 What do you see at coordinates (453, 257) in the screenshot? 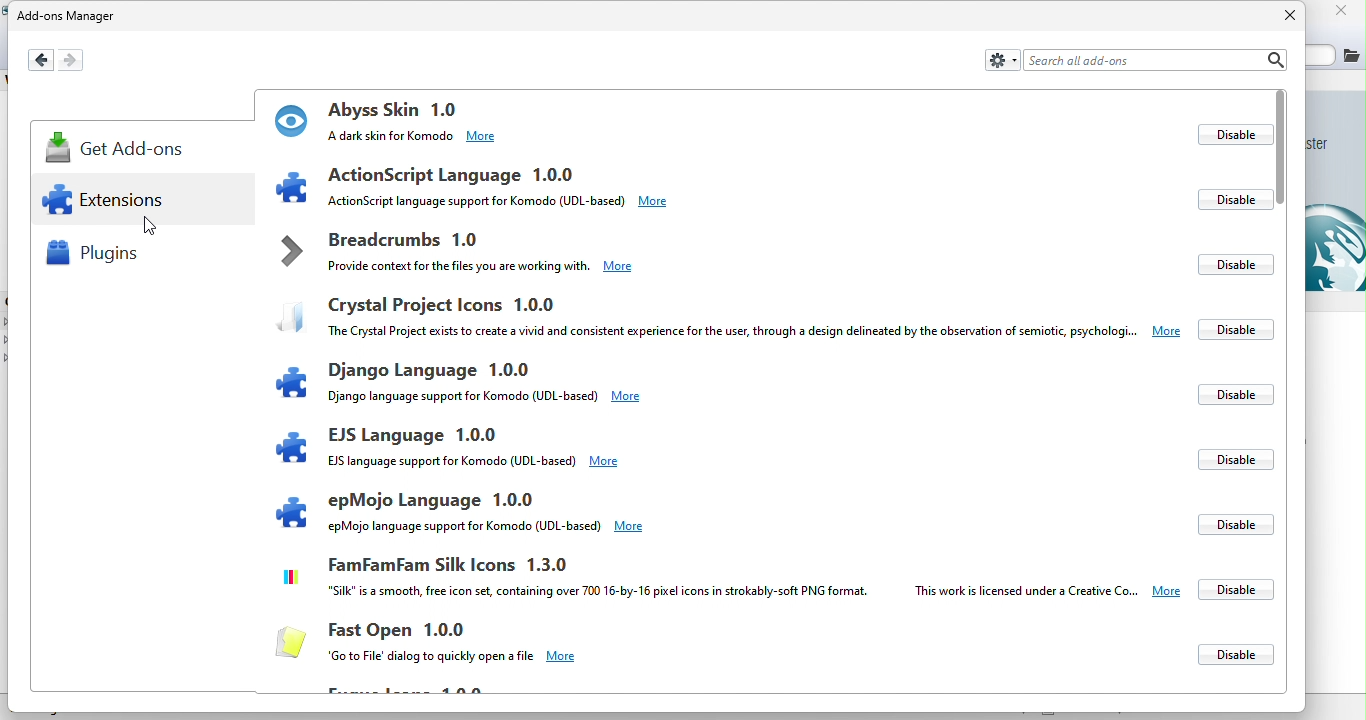
I see `breadcrumbs 1.0` at bounding box center [453, 257].